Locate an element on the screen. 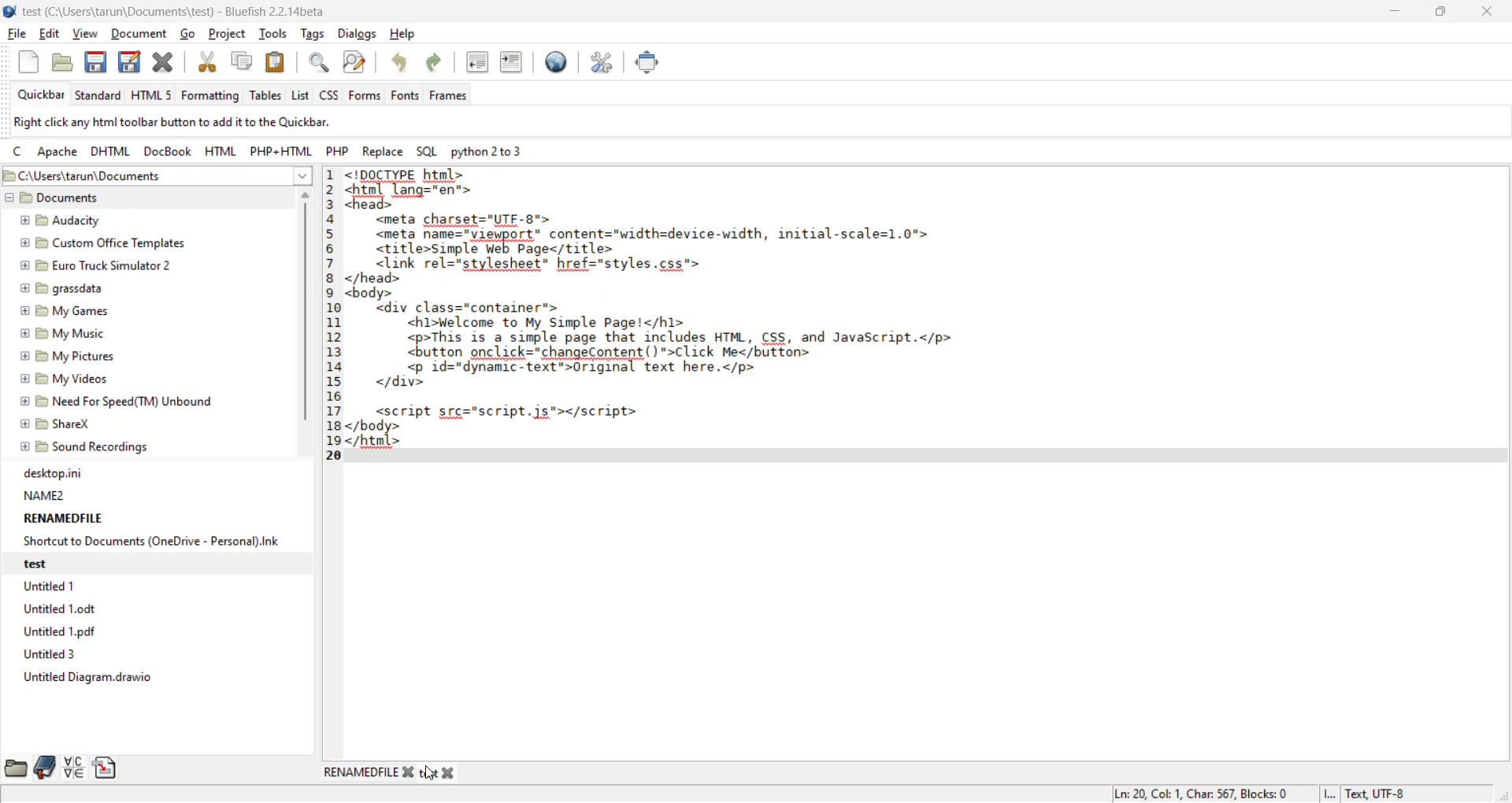 This screenshot has height=803, width=1512. go is located at coordinates (191, 35).